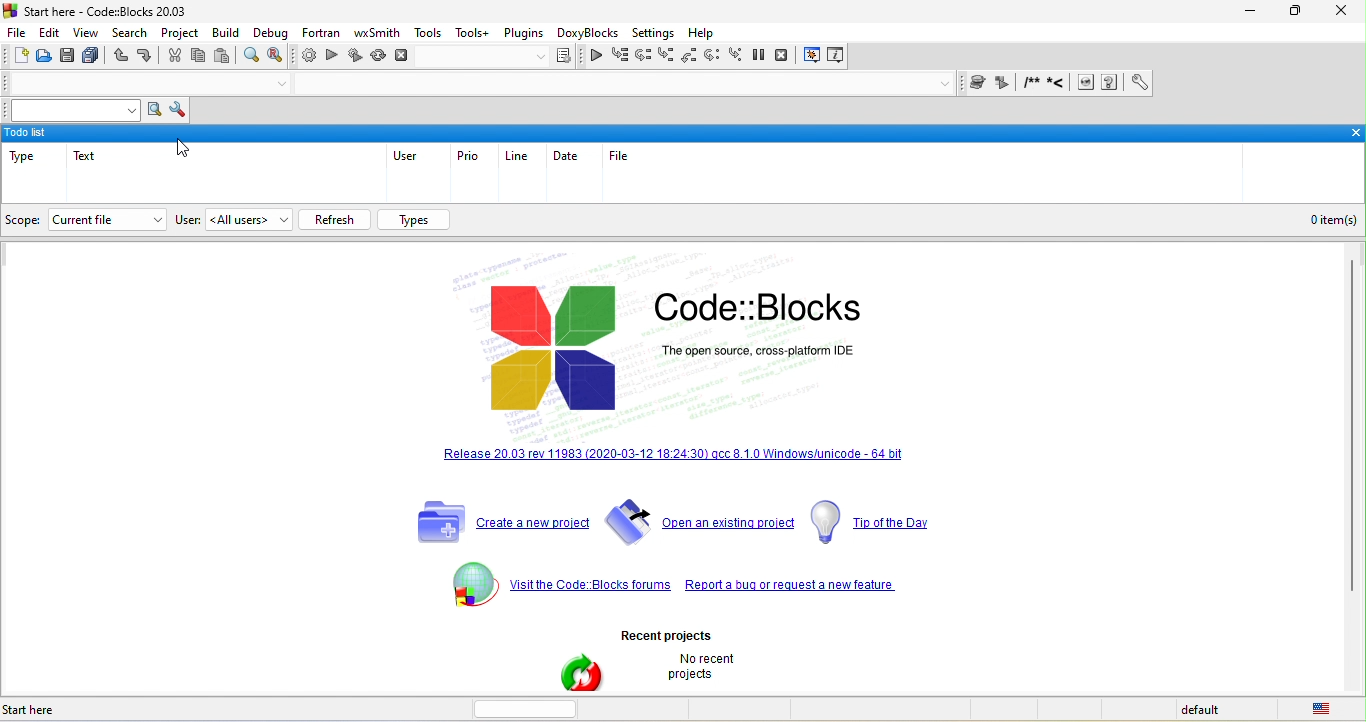 The width and height of the screenshot is (1366, 722). I want to click on abort, so click(403, 55).